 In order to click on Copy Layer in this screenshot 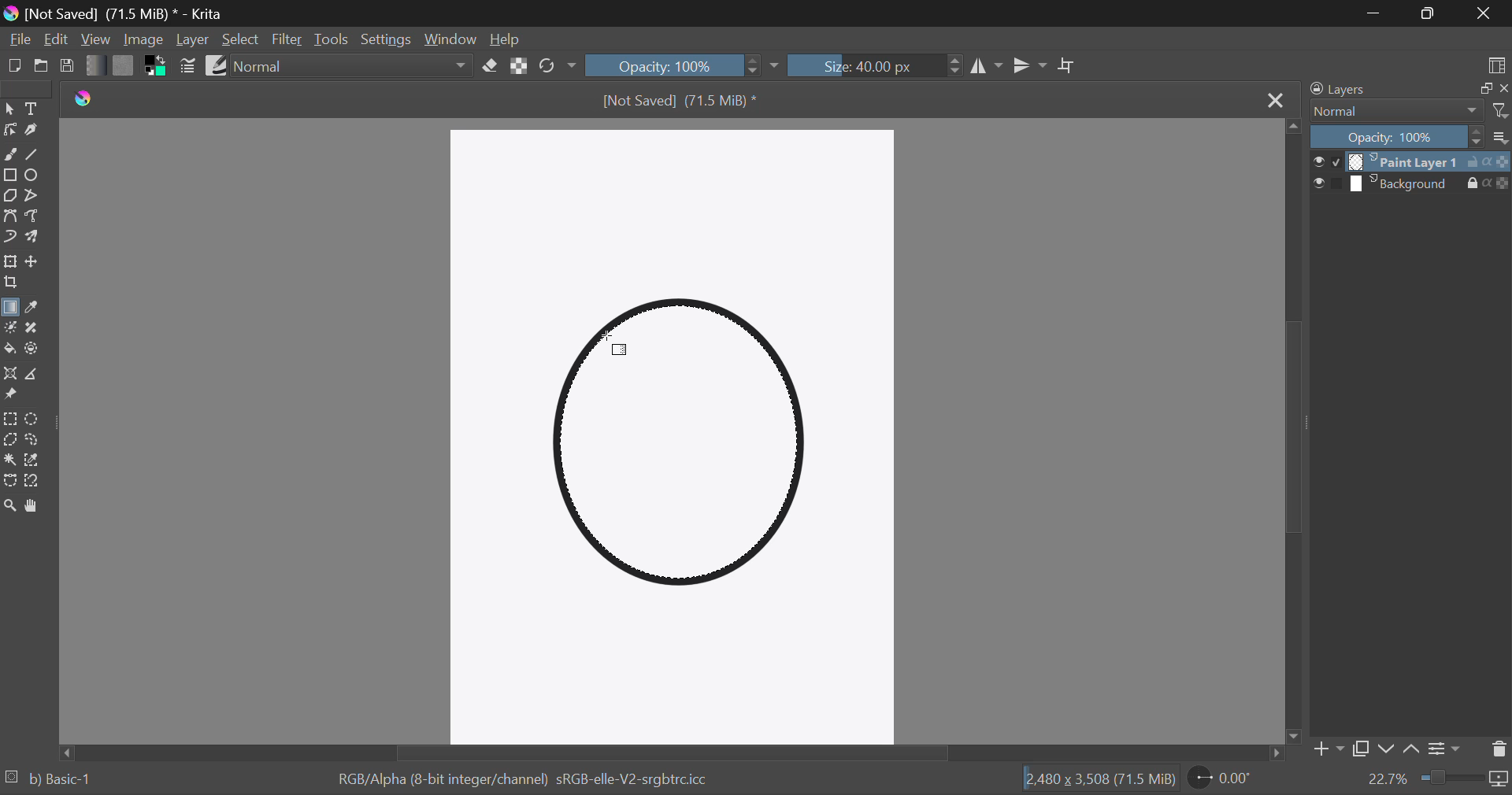, I will do `click(1362, 749)`.